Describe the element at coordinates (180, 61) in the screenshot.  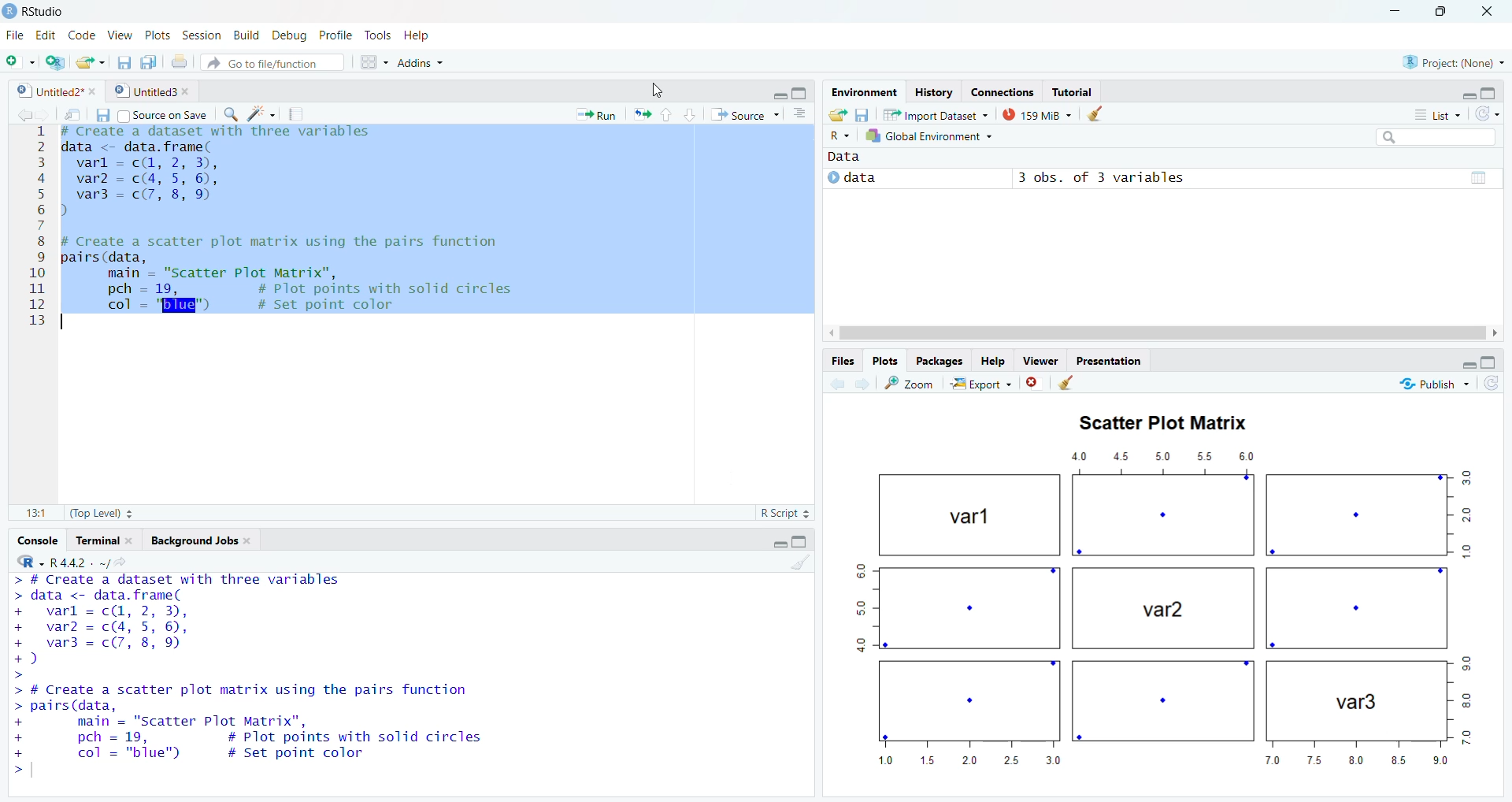
I see `Print document` at that location.